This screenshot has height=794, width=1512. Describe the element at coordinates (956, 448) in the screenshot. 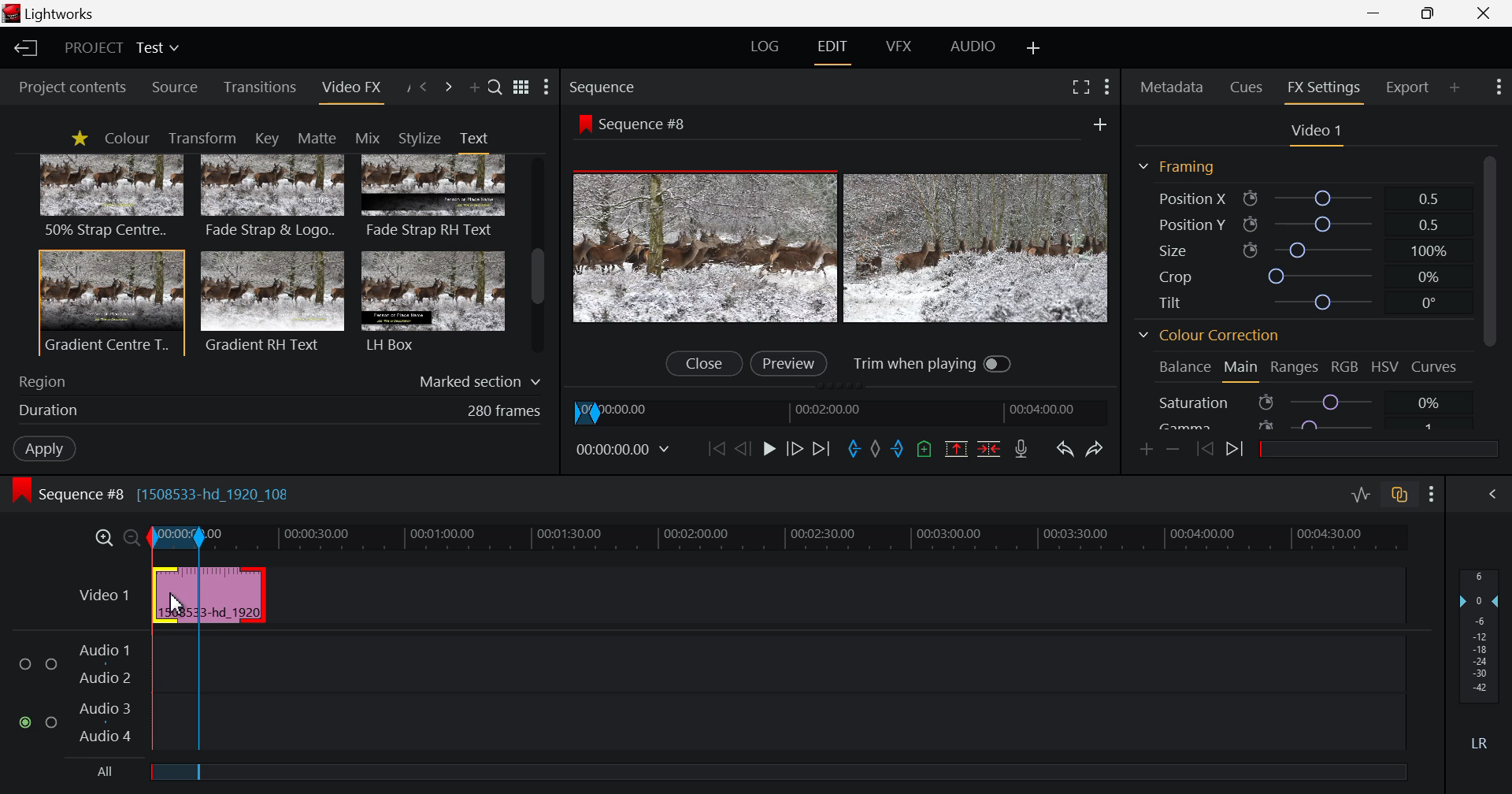

I see `Remove marked section` at that location.